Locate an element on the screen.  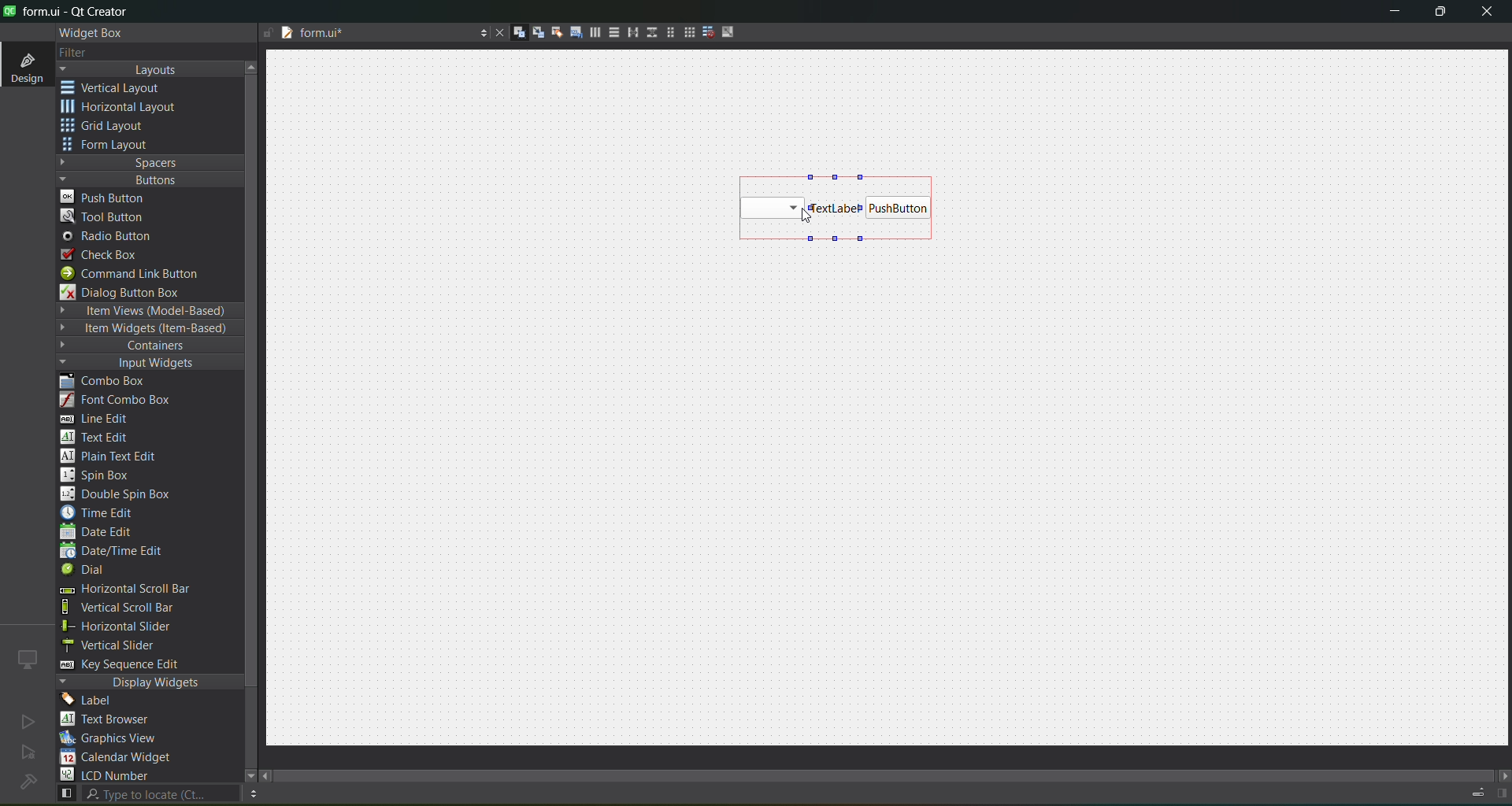
radio is located at coordinates (112, 237).